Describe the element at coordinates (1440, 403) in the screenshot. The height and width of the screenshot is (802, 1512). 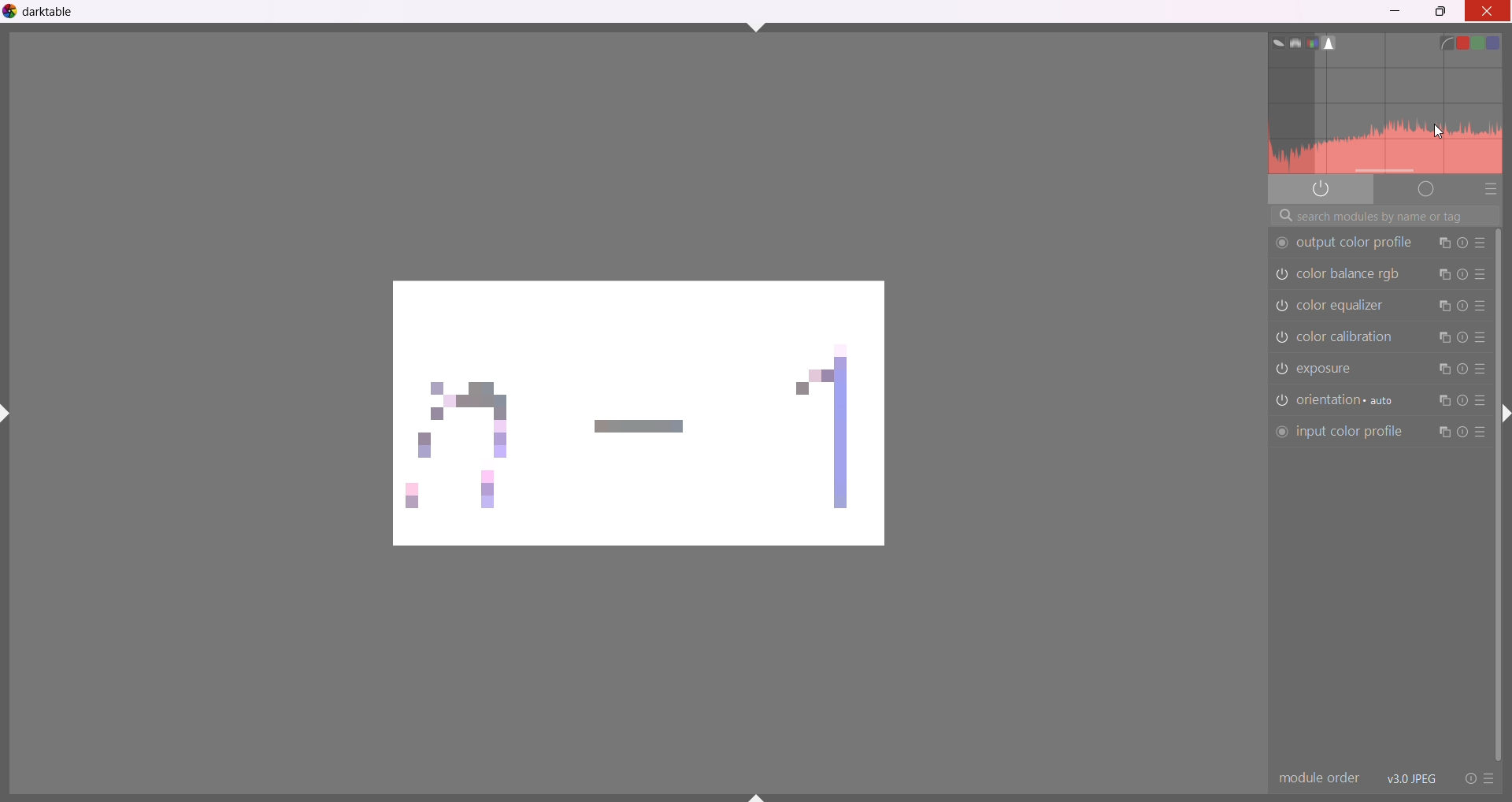
I see `instance` at that location.